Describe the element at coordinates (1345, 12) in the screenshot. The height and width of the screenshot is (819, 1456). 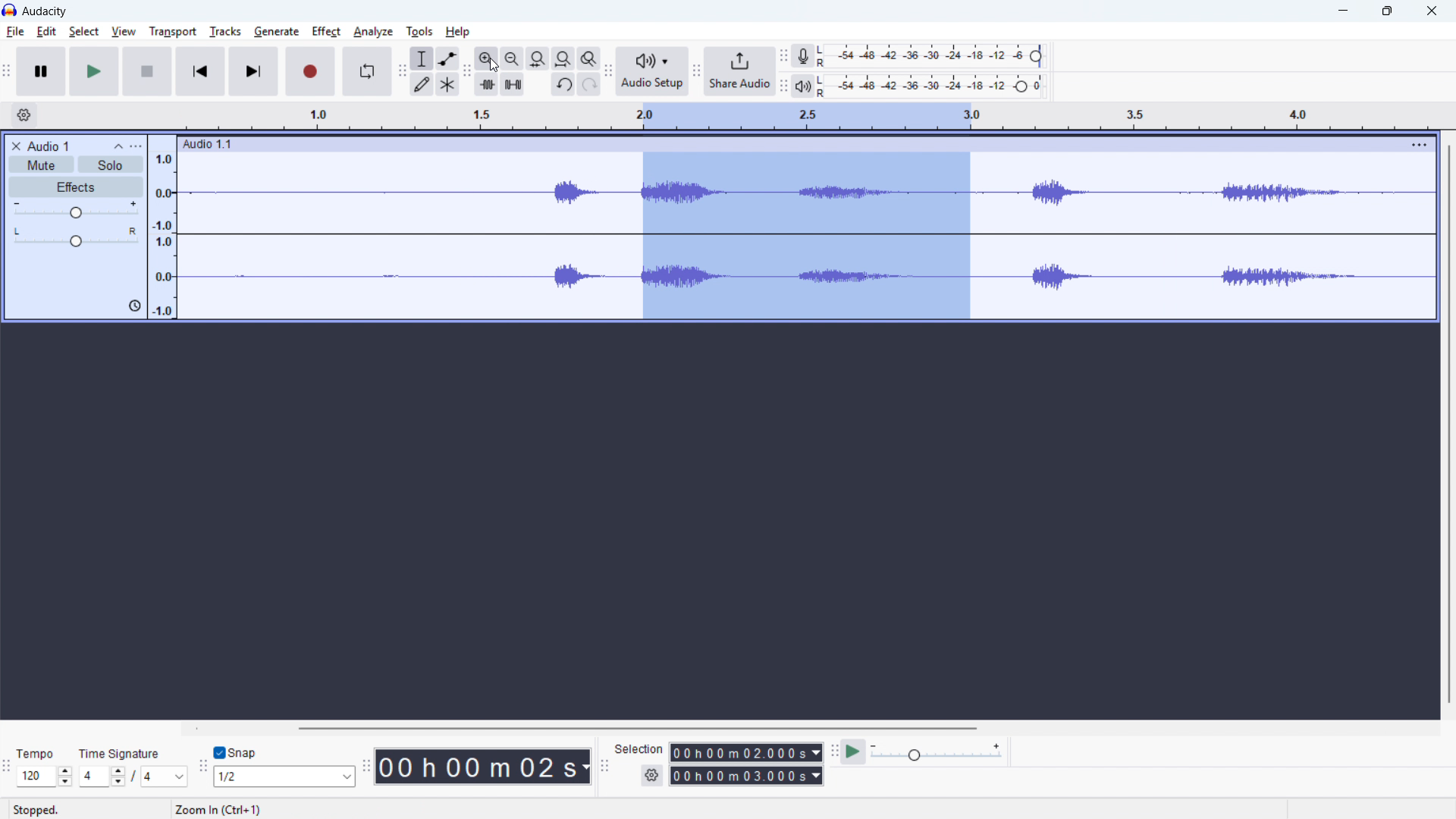
I see `minimise` at that location.